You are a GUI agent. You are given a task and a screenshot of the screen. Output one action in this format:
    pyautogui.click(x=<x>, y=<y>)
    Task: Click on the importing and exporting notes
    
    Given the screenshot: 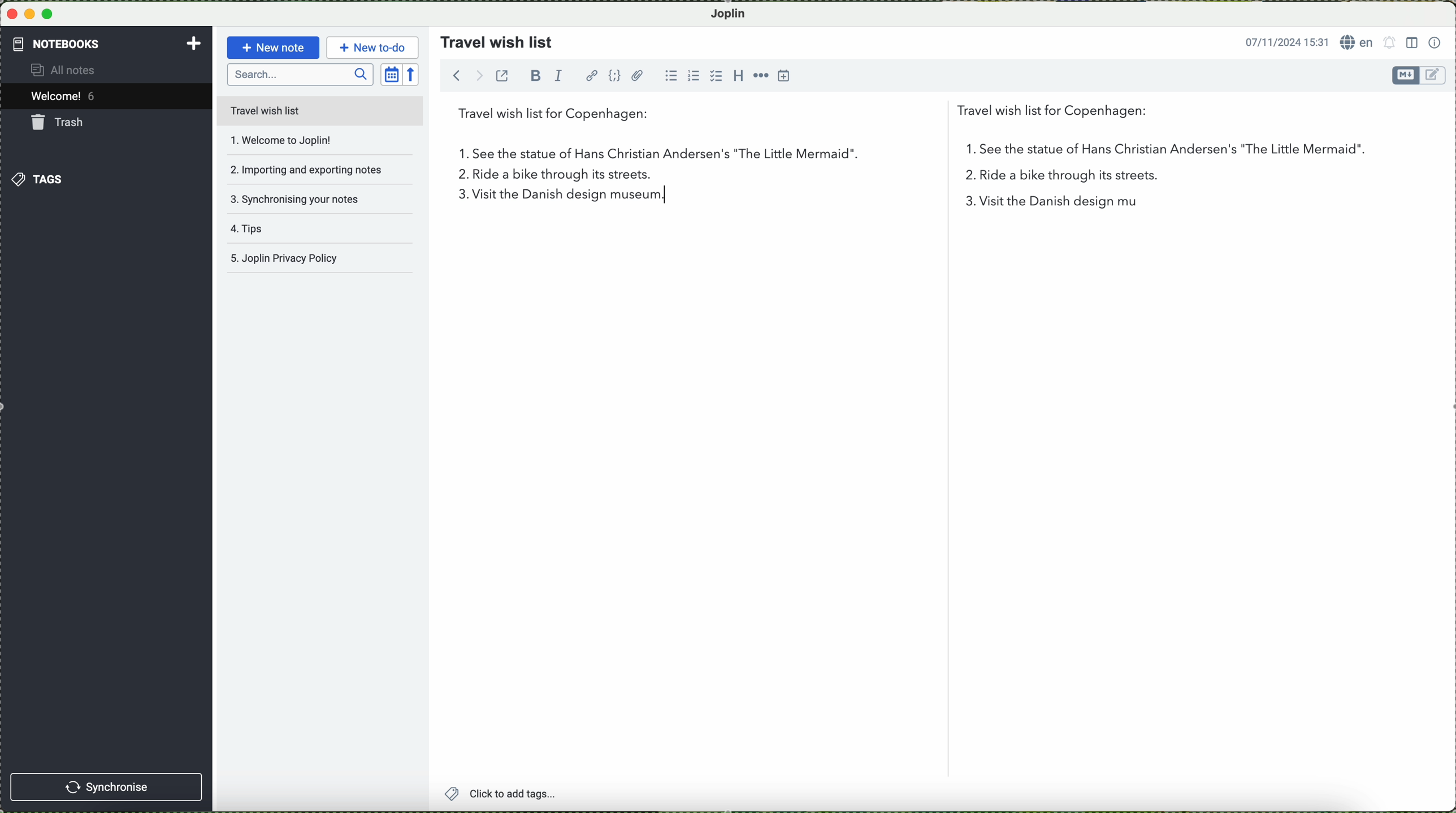 What is the action you would take?
    pyautogui.click(x=306, y=168)
    